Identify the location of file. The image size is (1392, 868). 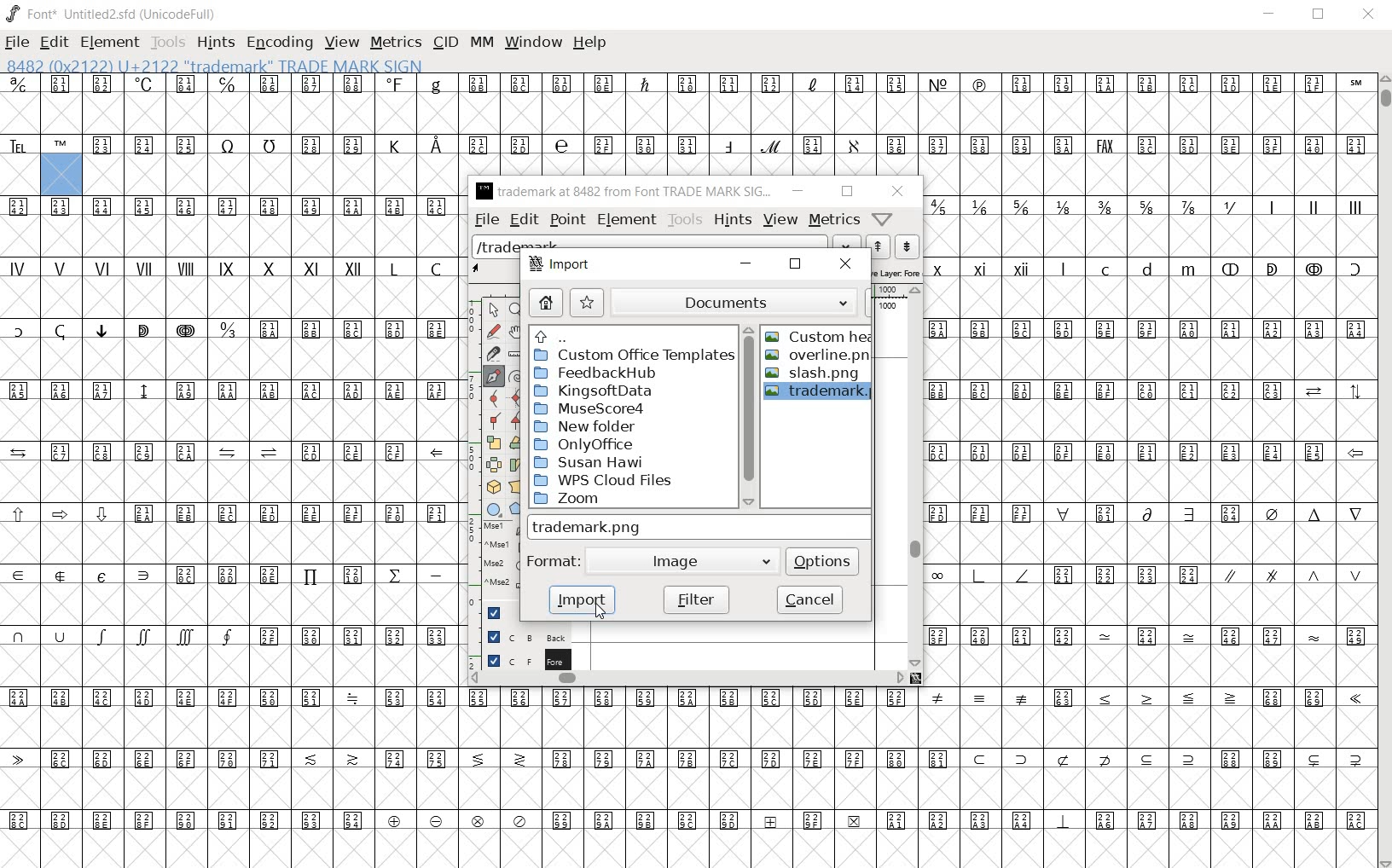
(488, 220).